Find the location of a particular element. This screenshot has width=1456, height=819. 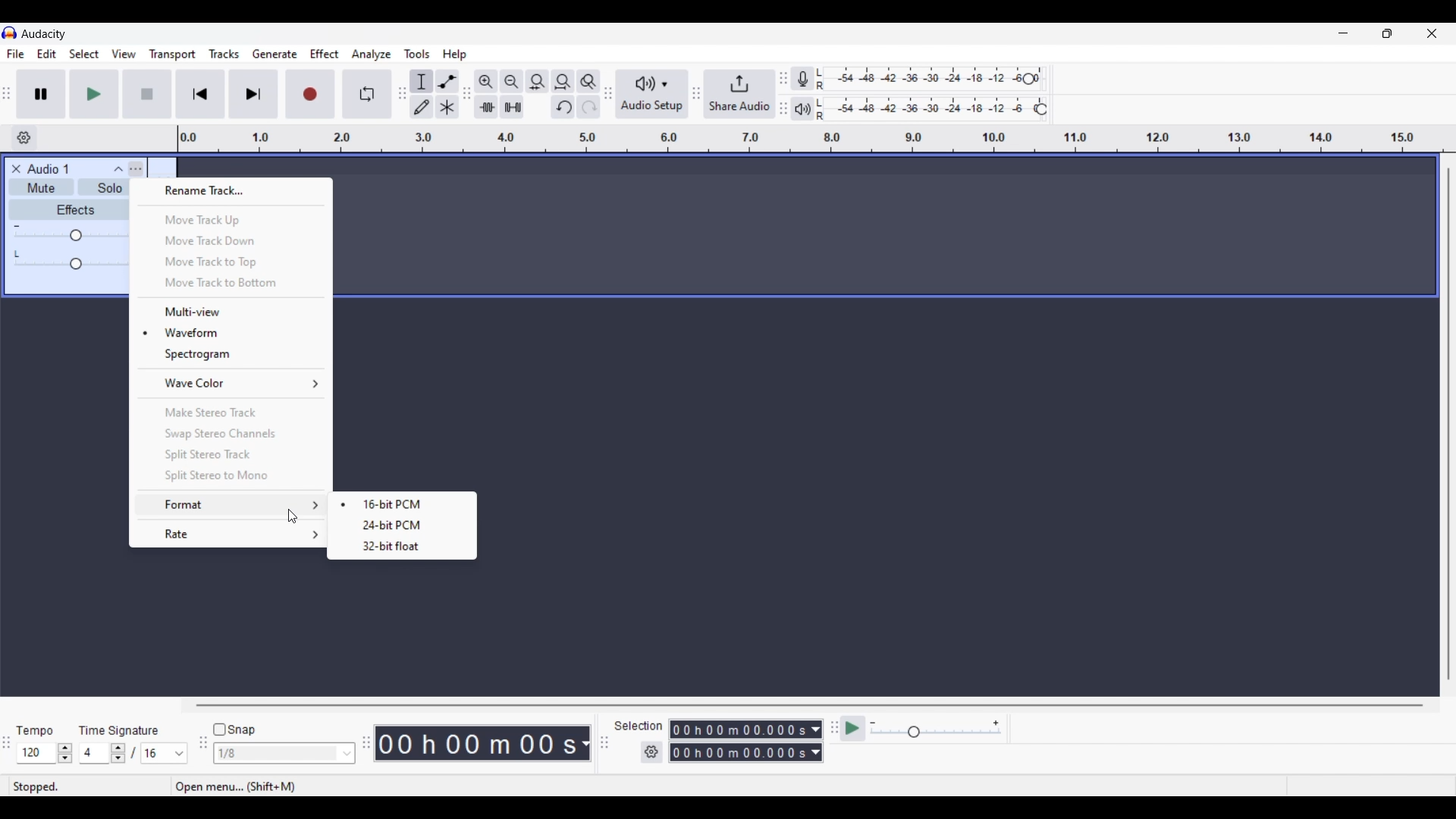

Analyze menu is located at coordinates (372, 54).